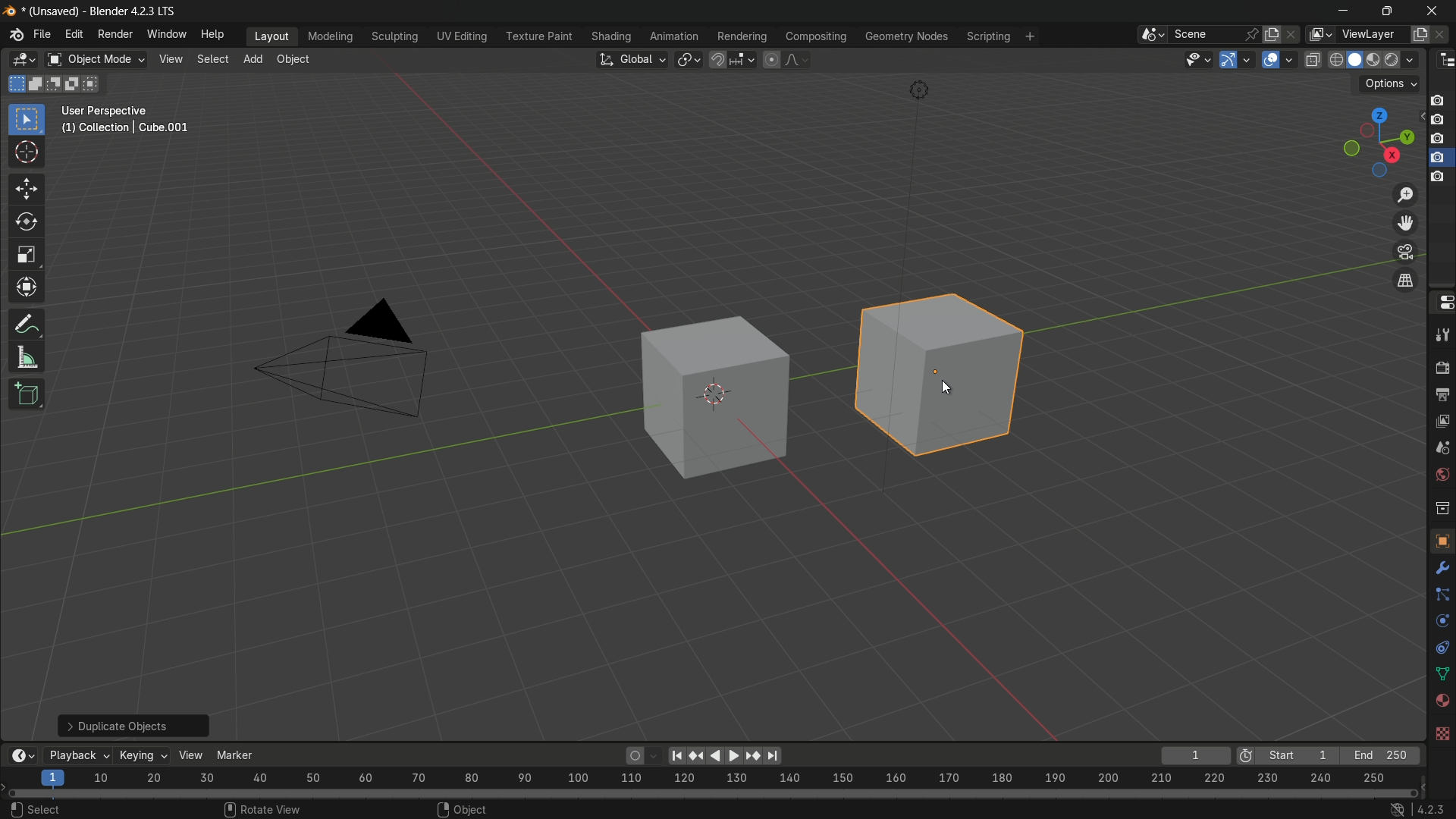  Describe the element at coordinates (1270, 33) in the screenshot. I see `new scene` at that location.